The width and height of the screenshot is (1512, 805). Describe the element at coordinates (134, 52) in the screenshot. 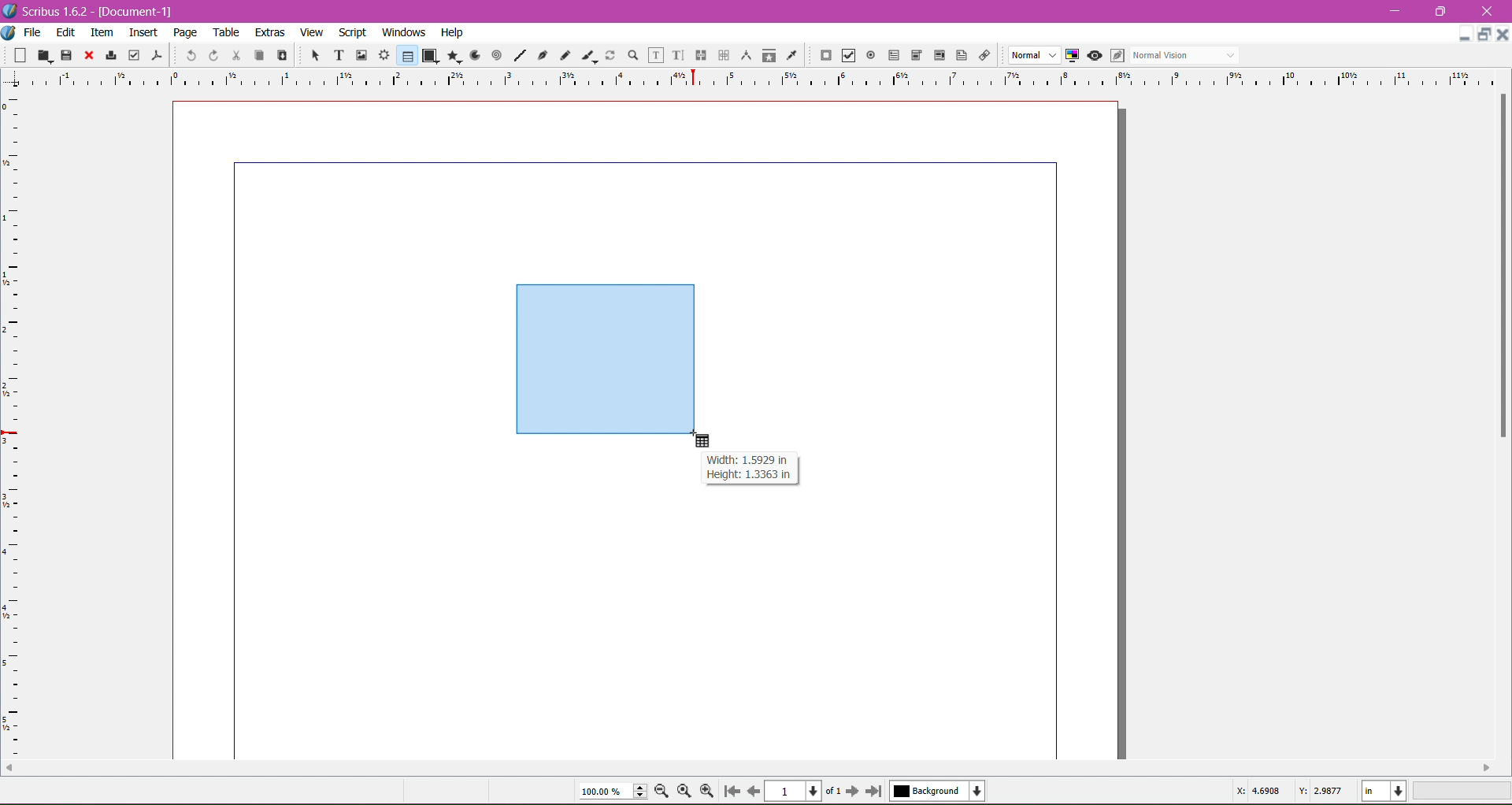

I see `Preflight Verifier` at that location.